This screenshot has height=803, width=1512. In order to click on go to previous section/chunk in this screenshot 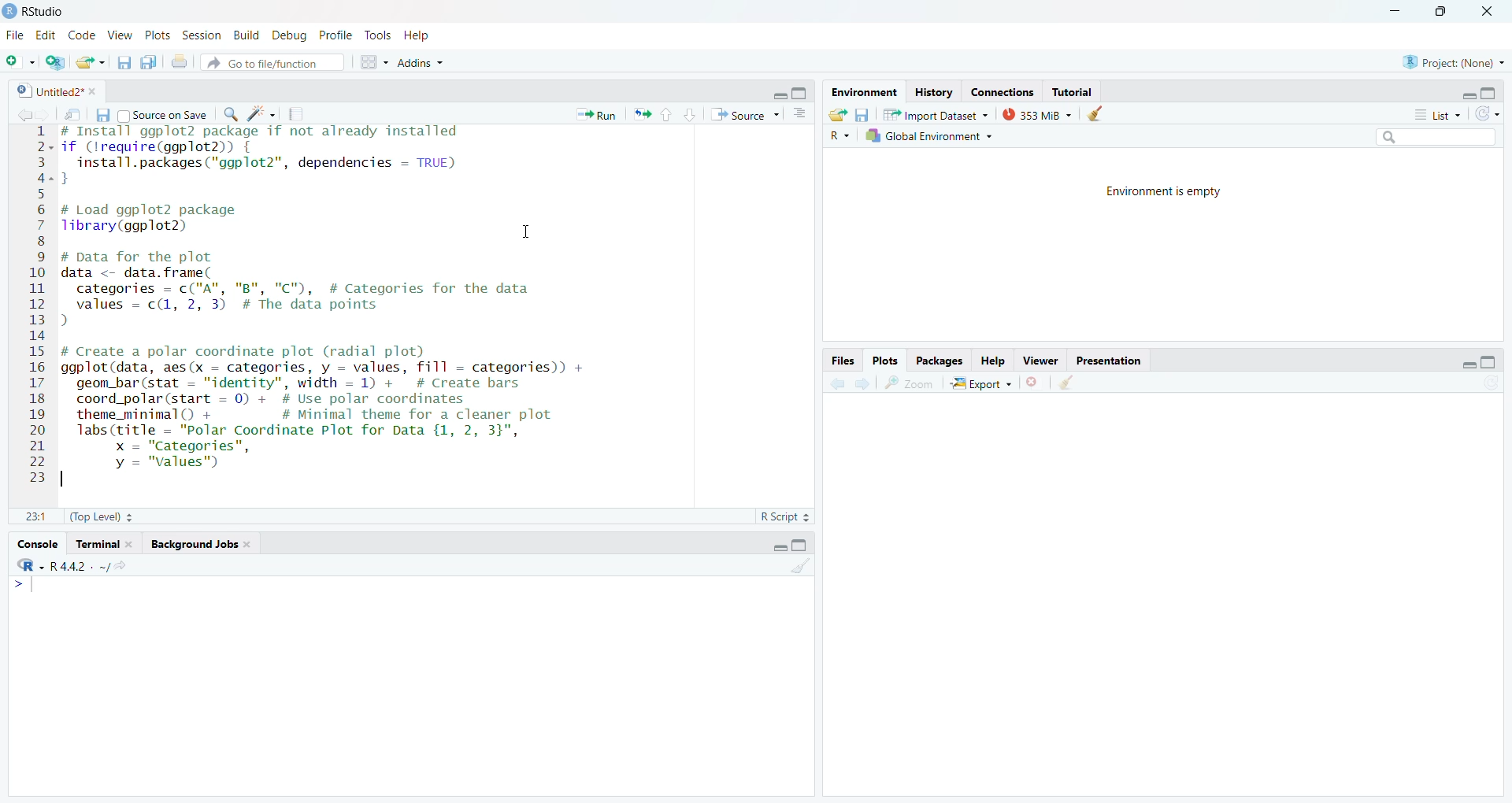, I will do `click(669, 115)`.